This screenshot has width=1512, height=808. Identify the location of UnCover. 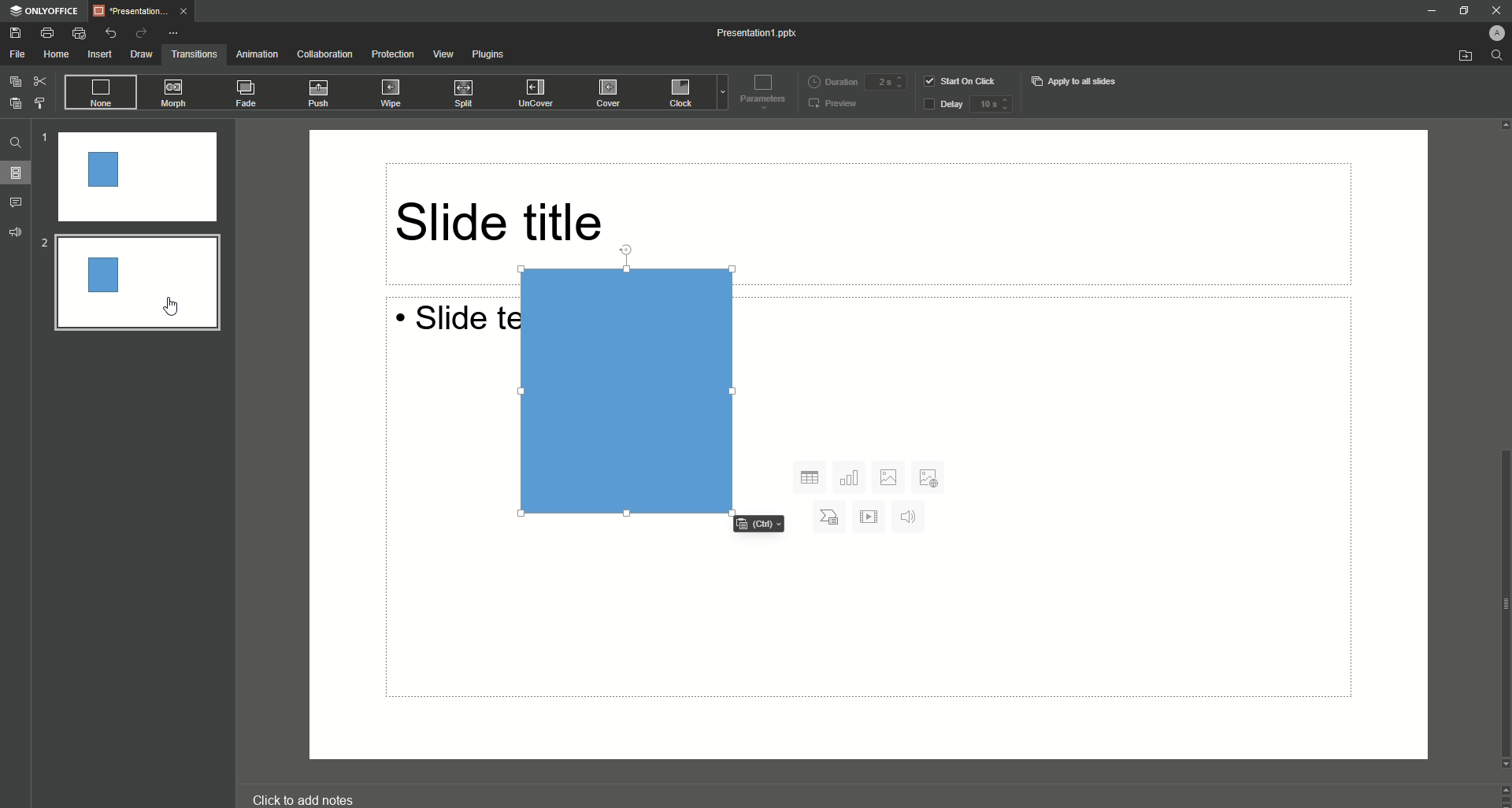
(534, 95).